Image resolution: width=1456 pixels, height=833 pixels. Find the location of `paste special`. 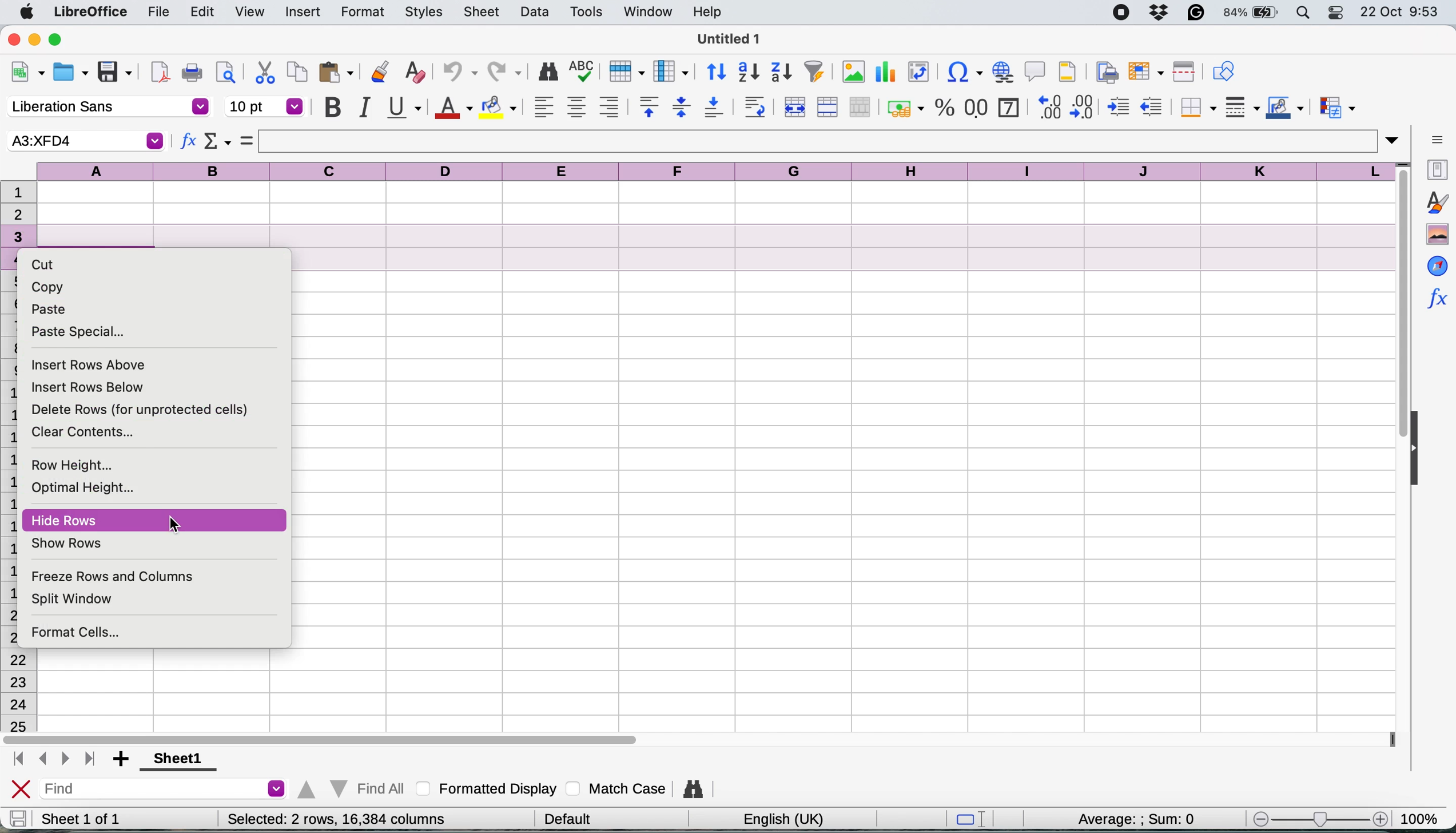

paste special is located at coordinates (78, 332).